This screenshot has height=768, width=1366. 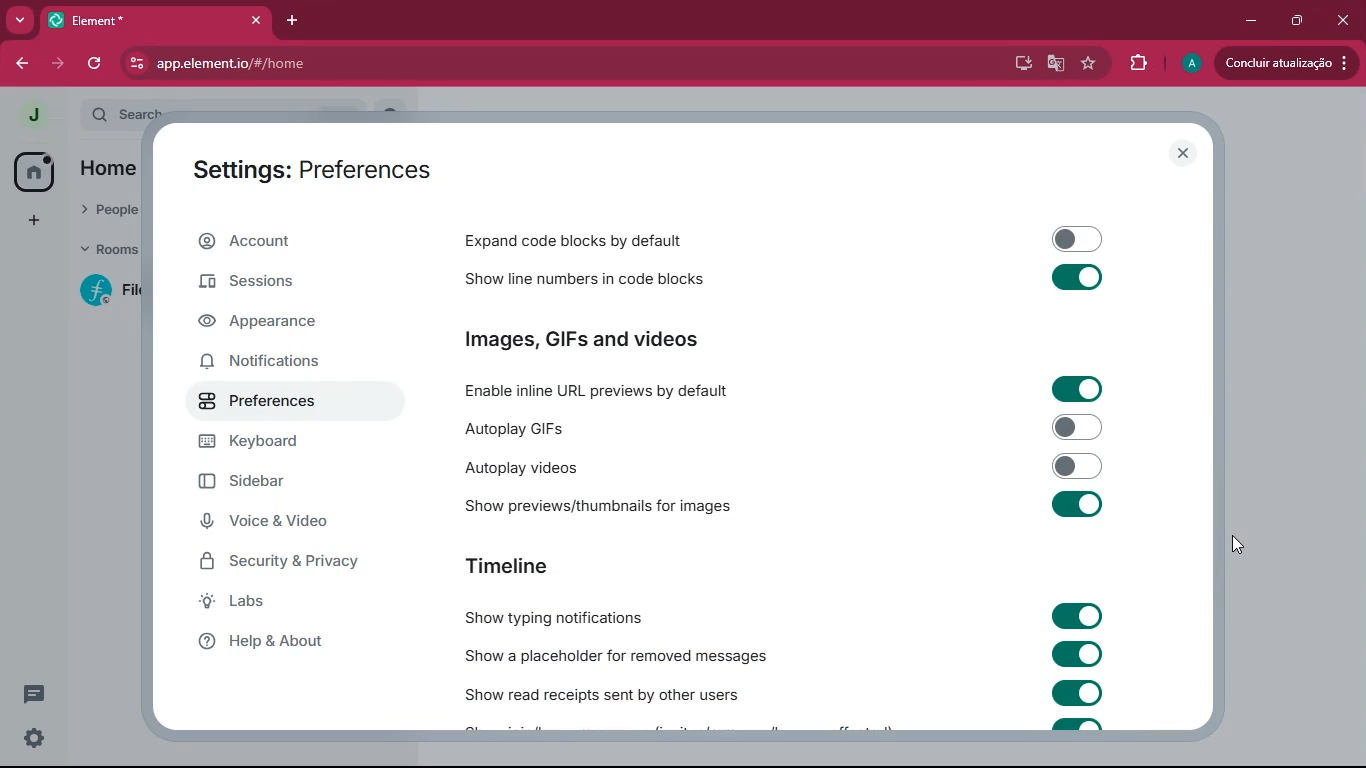 What do you see at coordinates (277, 443) in the screenshot?
I see `keyboard` at bounding box center [277, 443].